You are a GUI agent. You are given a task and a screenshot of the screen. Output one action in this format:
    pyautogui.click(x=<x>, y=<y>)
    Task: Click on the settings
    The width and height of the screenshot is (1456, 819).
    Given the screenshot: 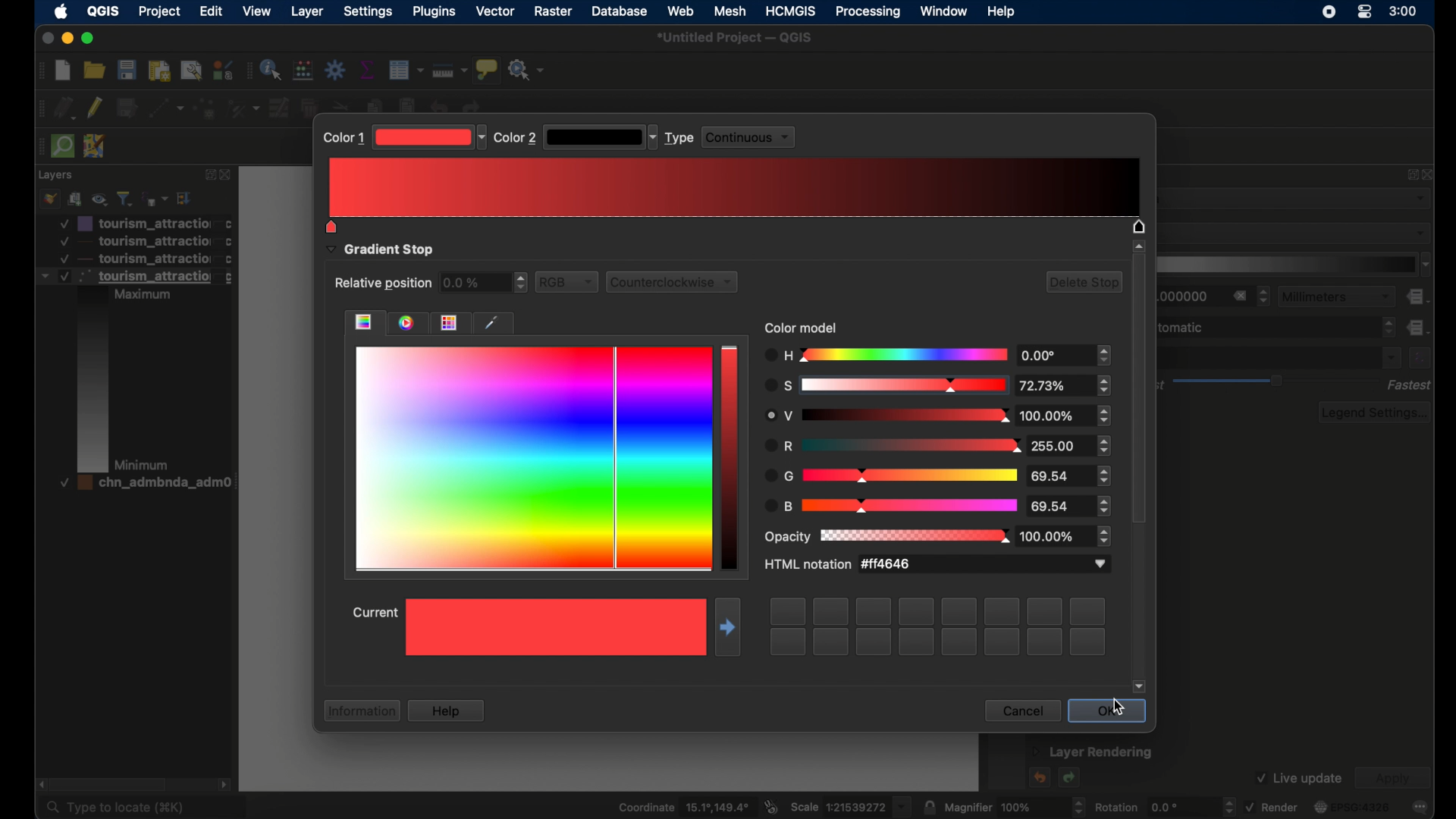 What is the action you would take?
    pyautogui.click(x=370, y=13)
    